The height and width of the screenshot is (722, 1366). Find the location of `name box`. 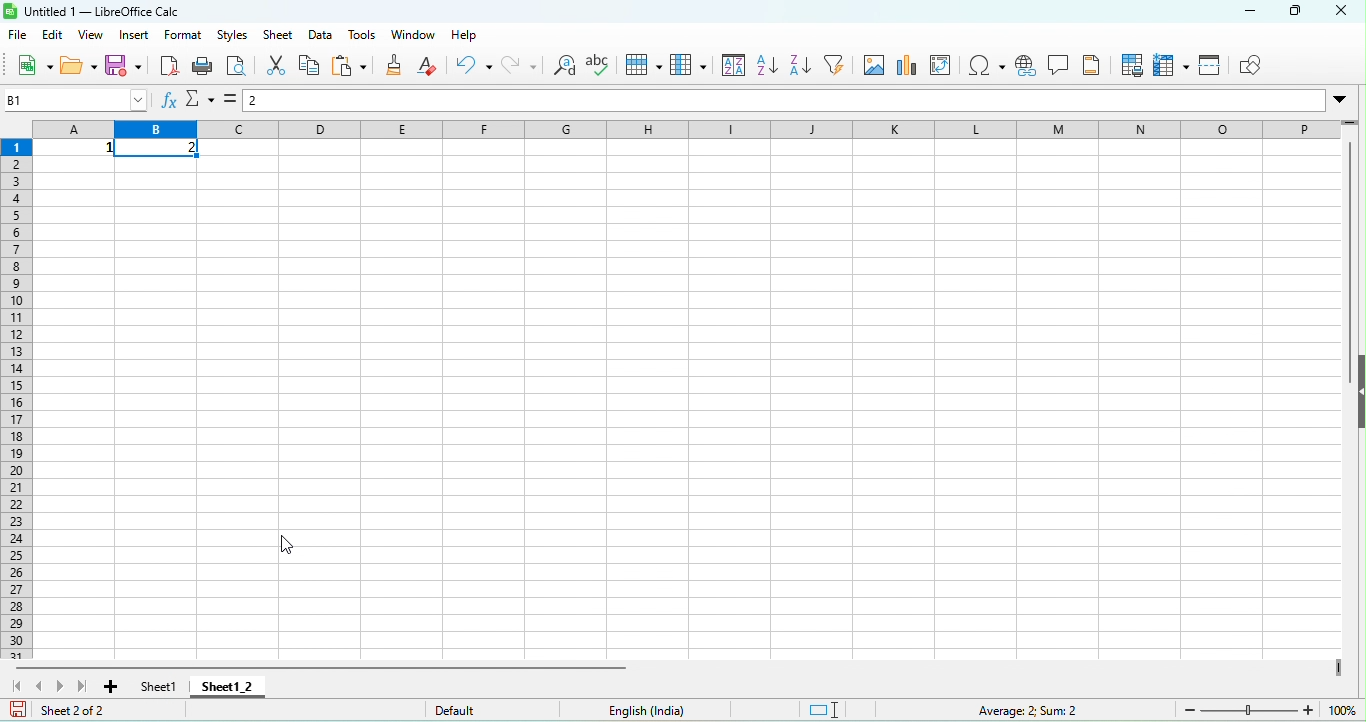

name box is located at coordinates (73, 99).